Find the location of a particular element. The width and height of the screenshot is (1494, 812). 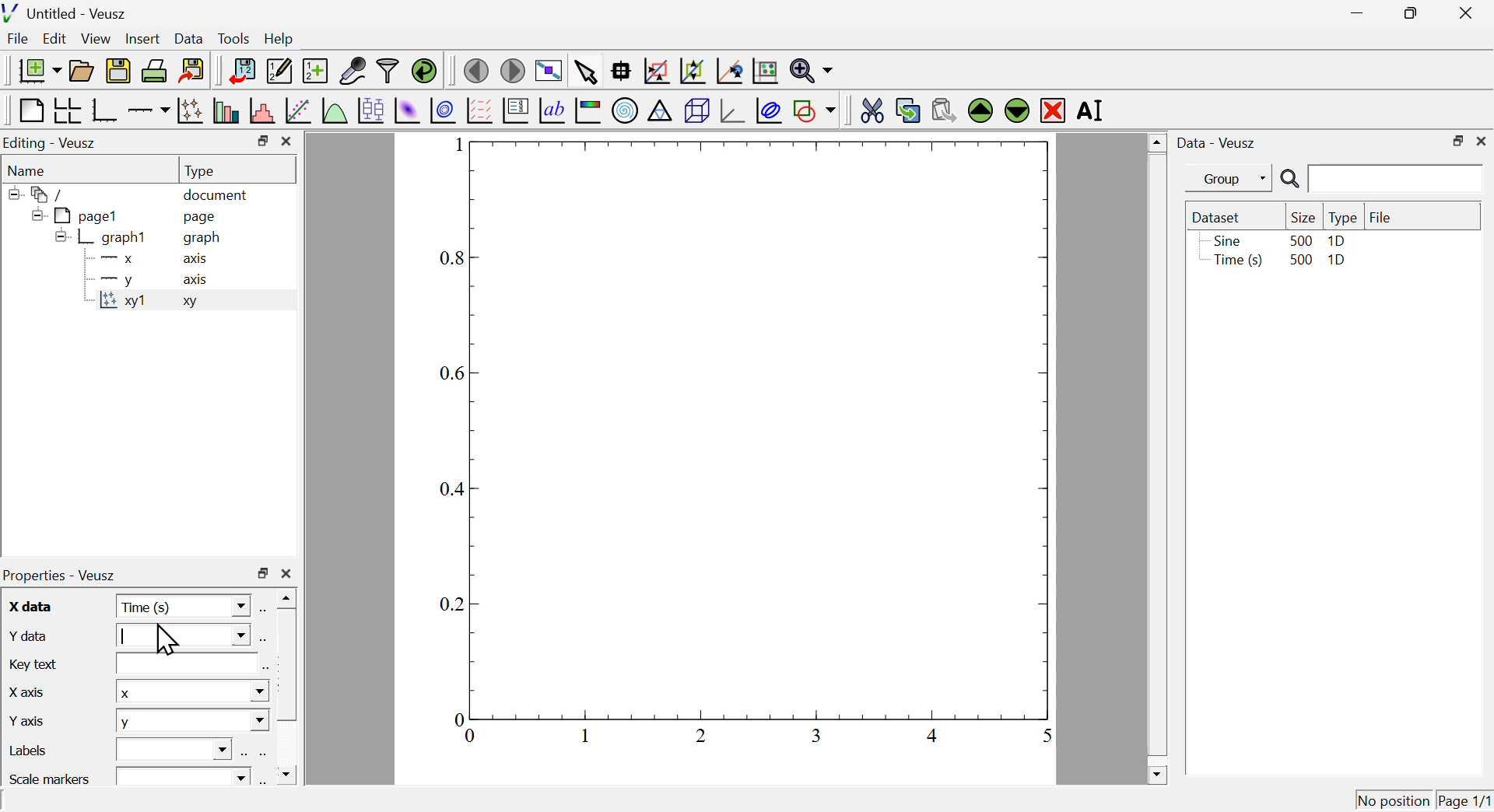

page is located at coordinates (202, 219).